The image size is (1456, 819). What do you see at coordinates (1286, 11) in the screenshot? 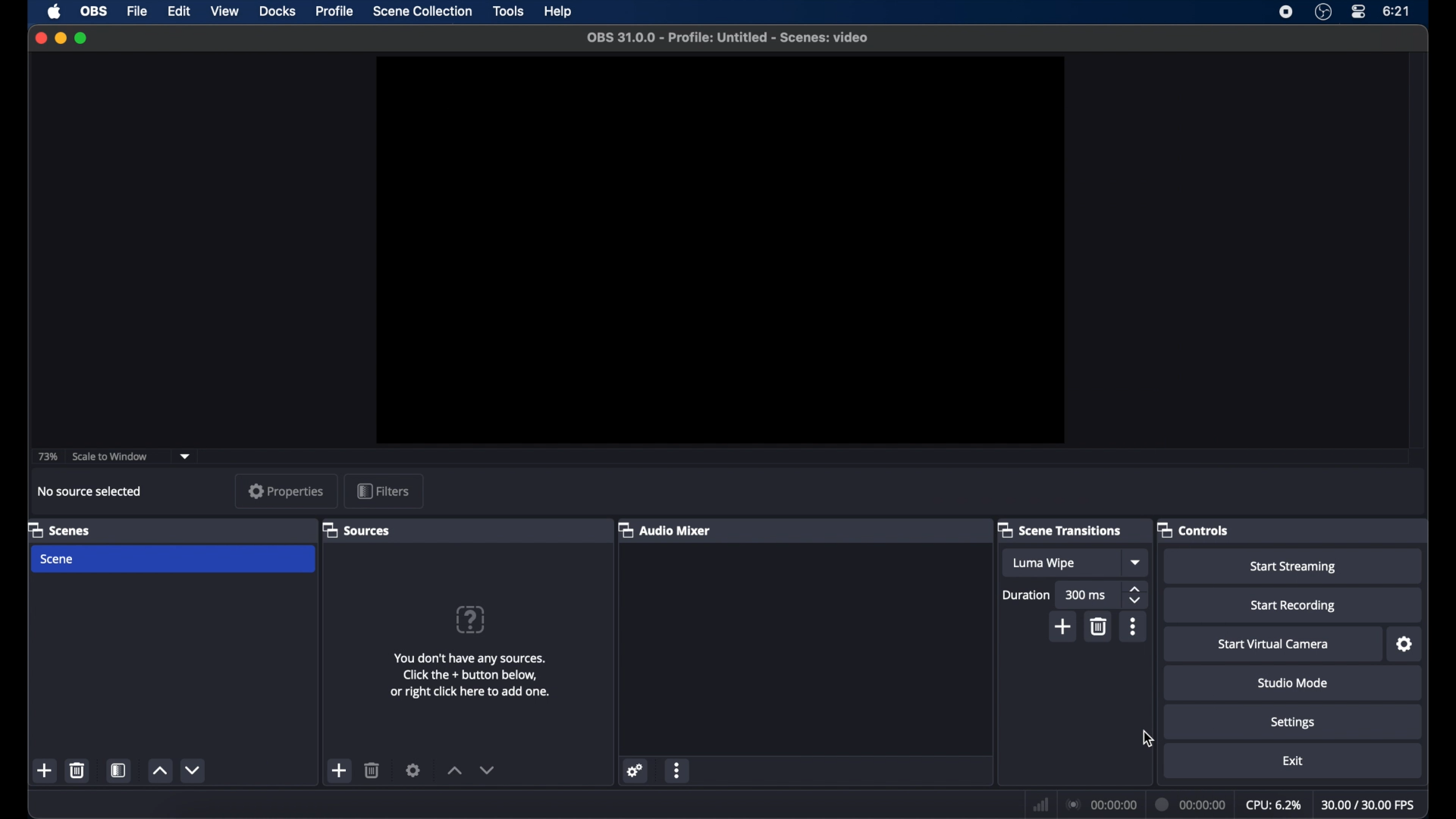
I see `screen recorder icon` at bounding box center [1286, 11].